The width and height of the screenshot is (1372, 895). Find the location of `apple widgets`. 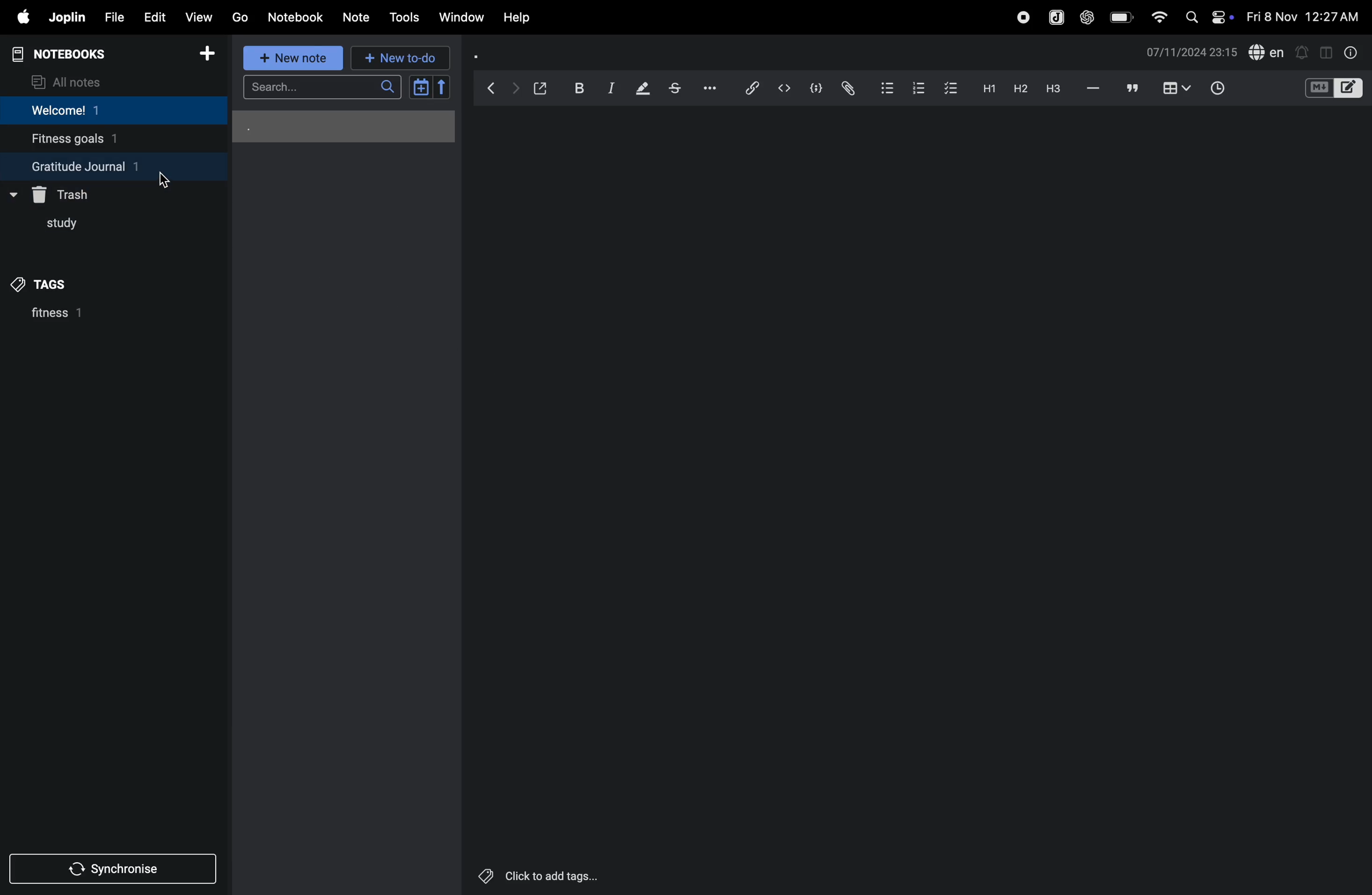

apple widgets is located at coordinates (1208, 17).